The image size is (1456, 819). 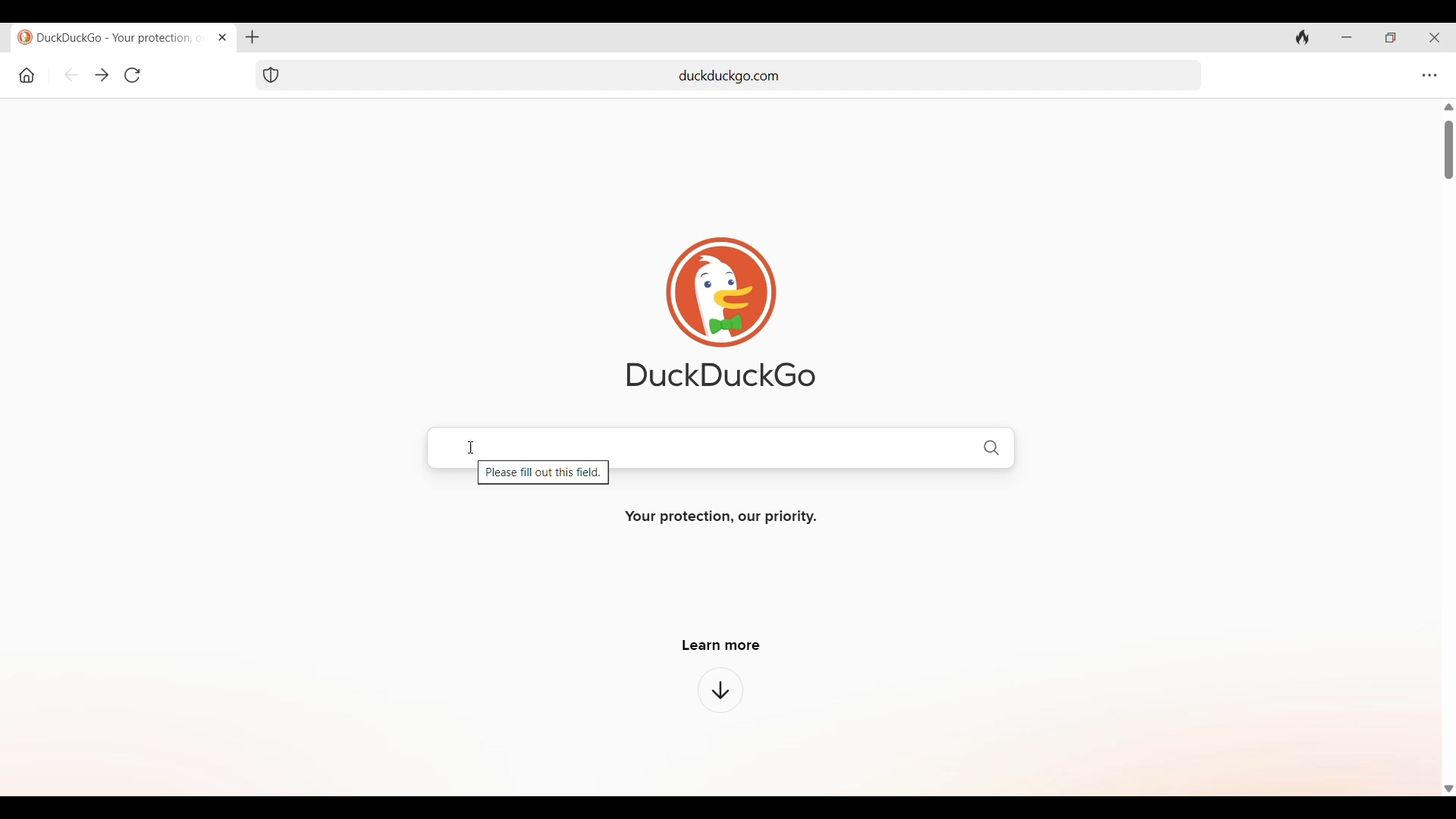 I want to click on Close tab, so click(x=221, y=36).